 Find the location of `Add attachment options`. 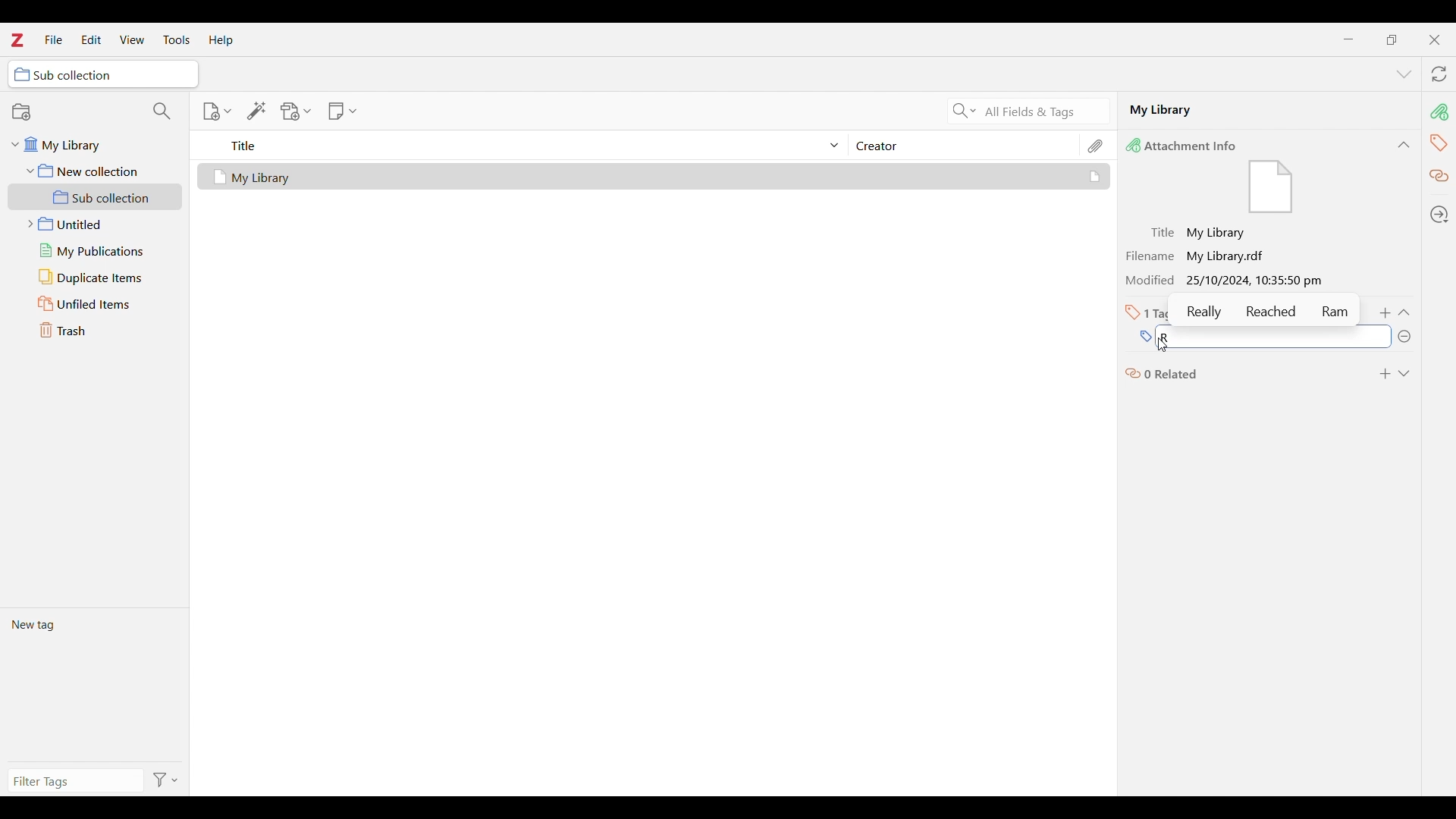

Add attachment options is located at coordinates (297, 111).